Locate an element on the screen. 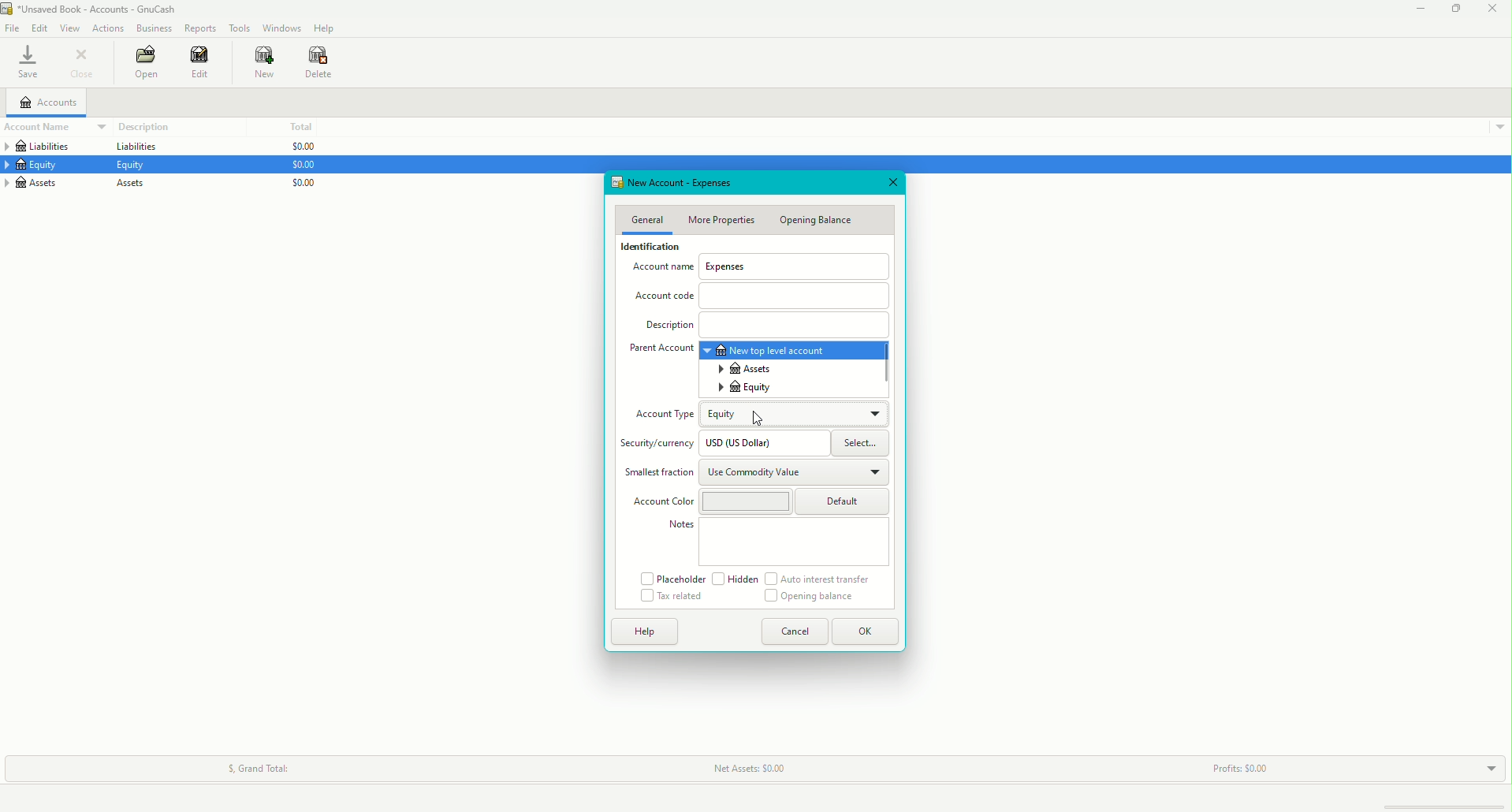  Close is located at coordinates (892, 184).